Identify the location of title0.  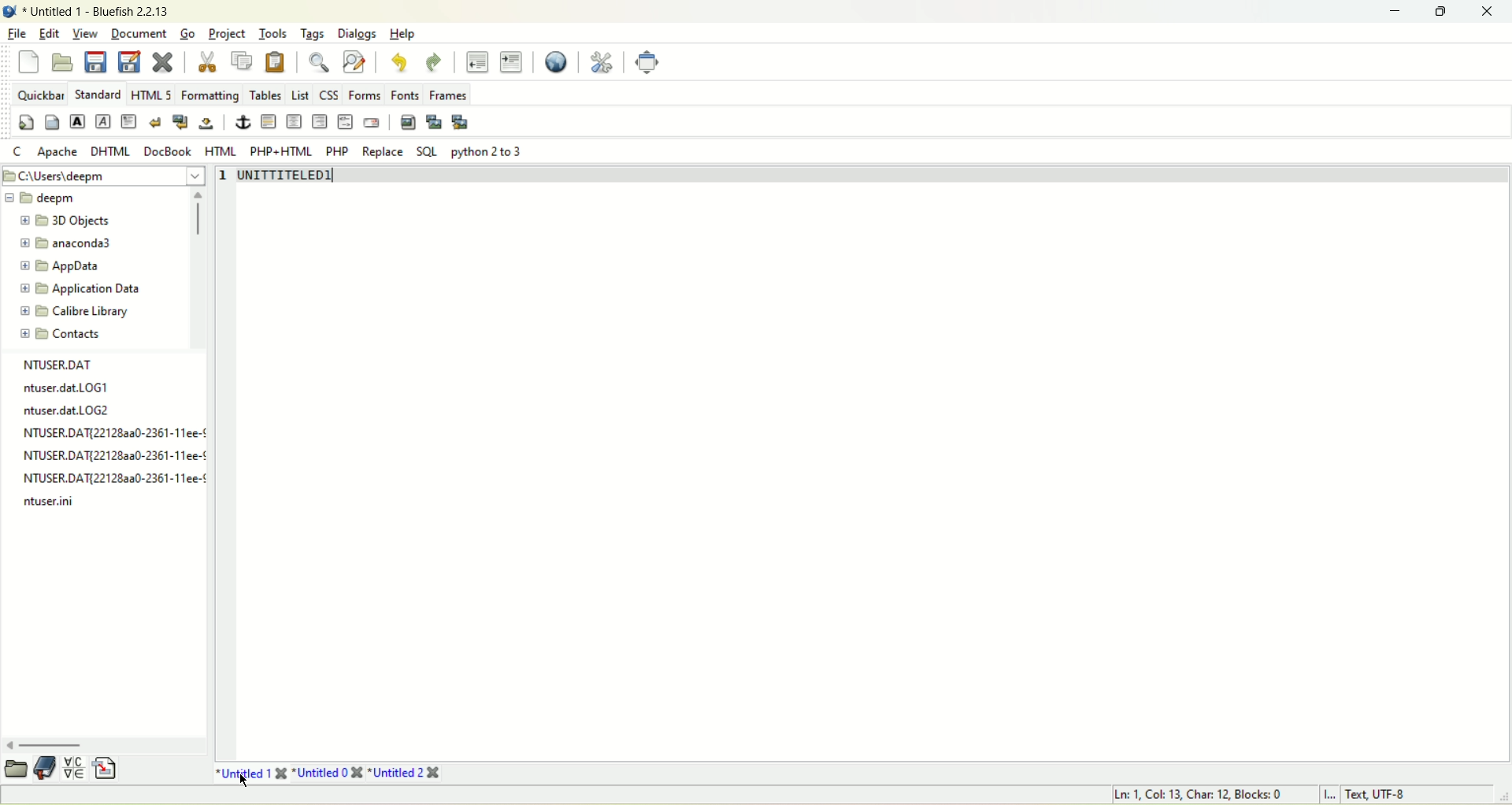
(333, 773).